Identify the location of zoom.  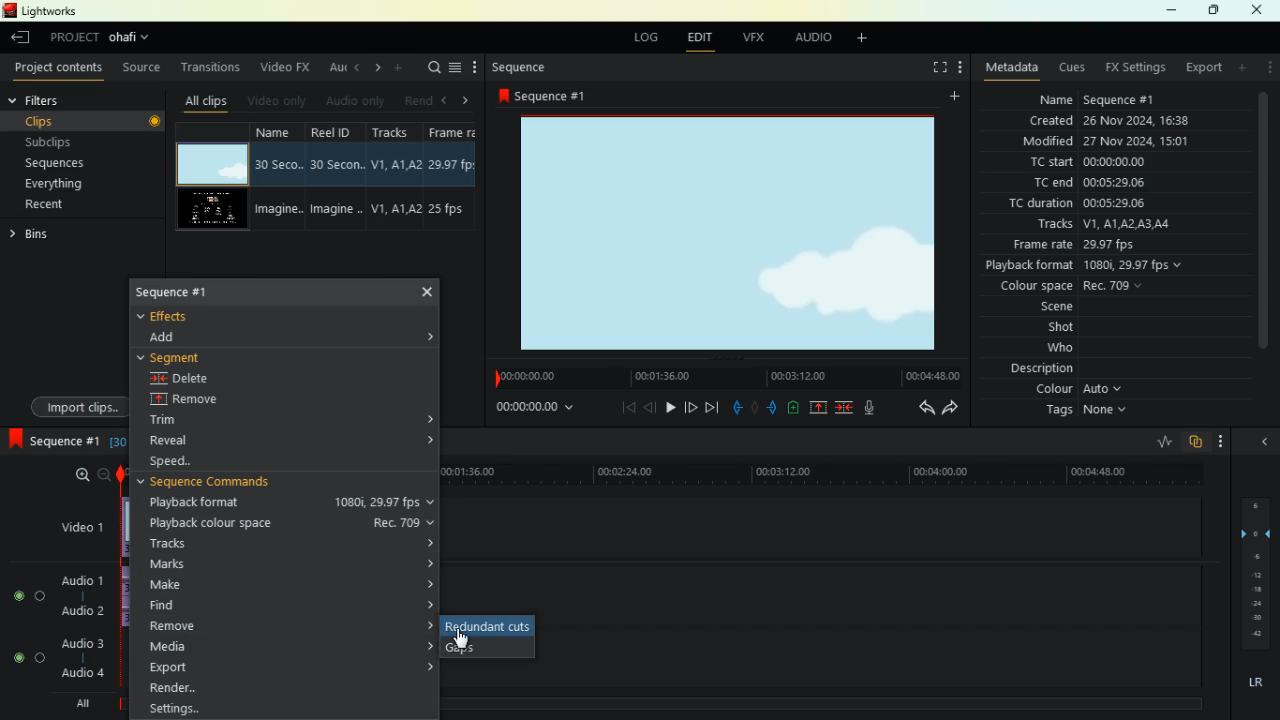
(83, 476).